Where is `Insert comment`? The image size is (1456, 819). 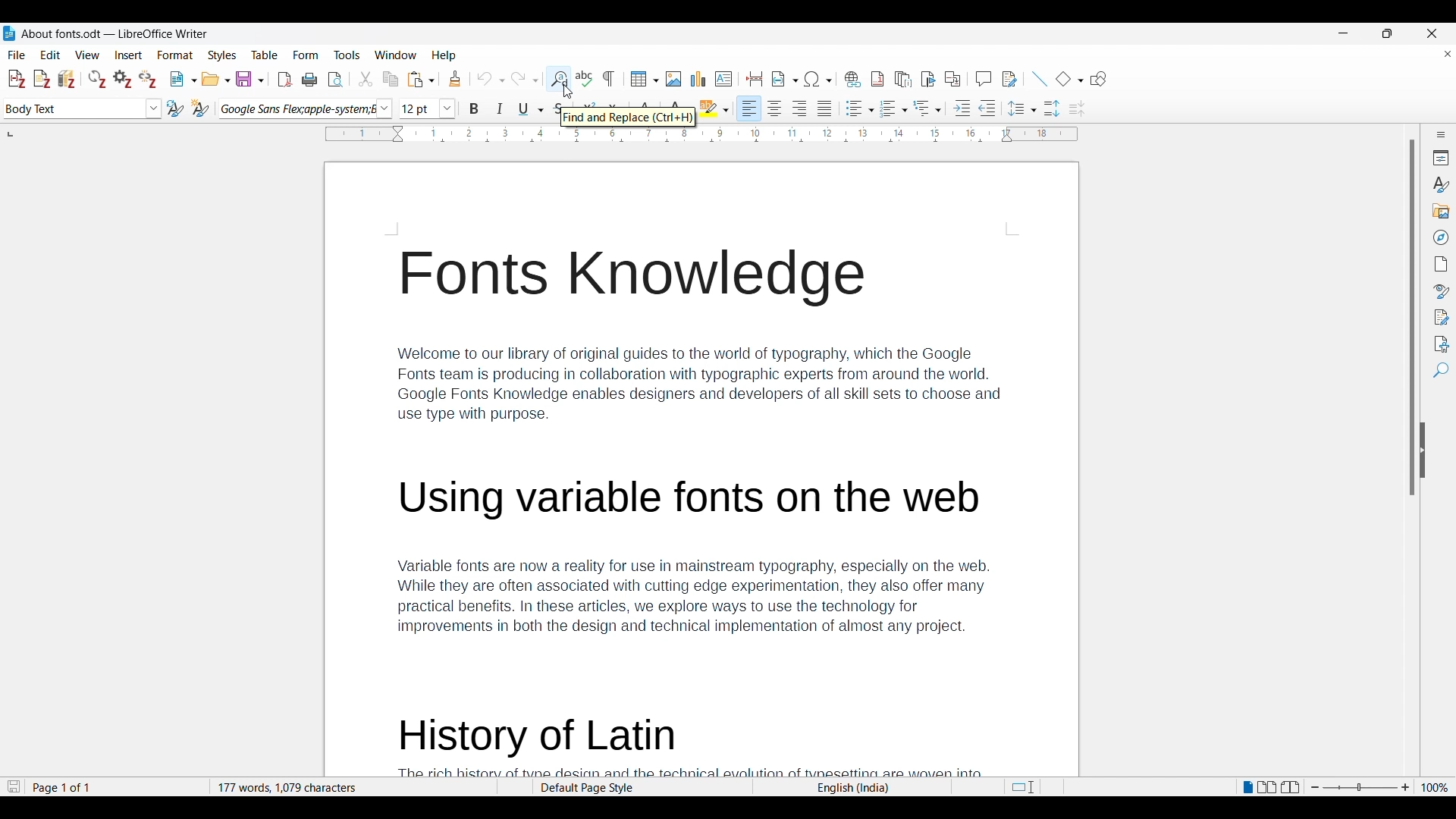 Insert comment is located at coordinates (984, 78).